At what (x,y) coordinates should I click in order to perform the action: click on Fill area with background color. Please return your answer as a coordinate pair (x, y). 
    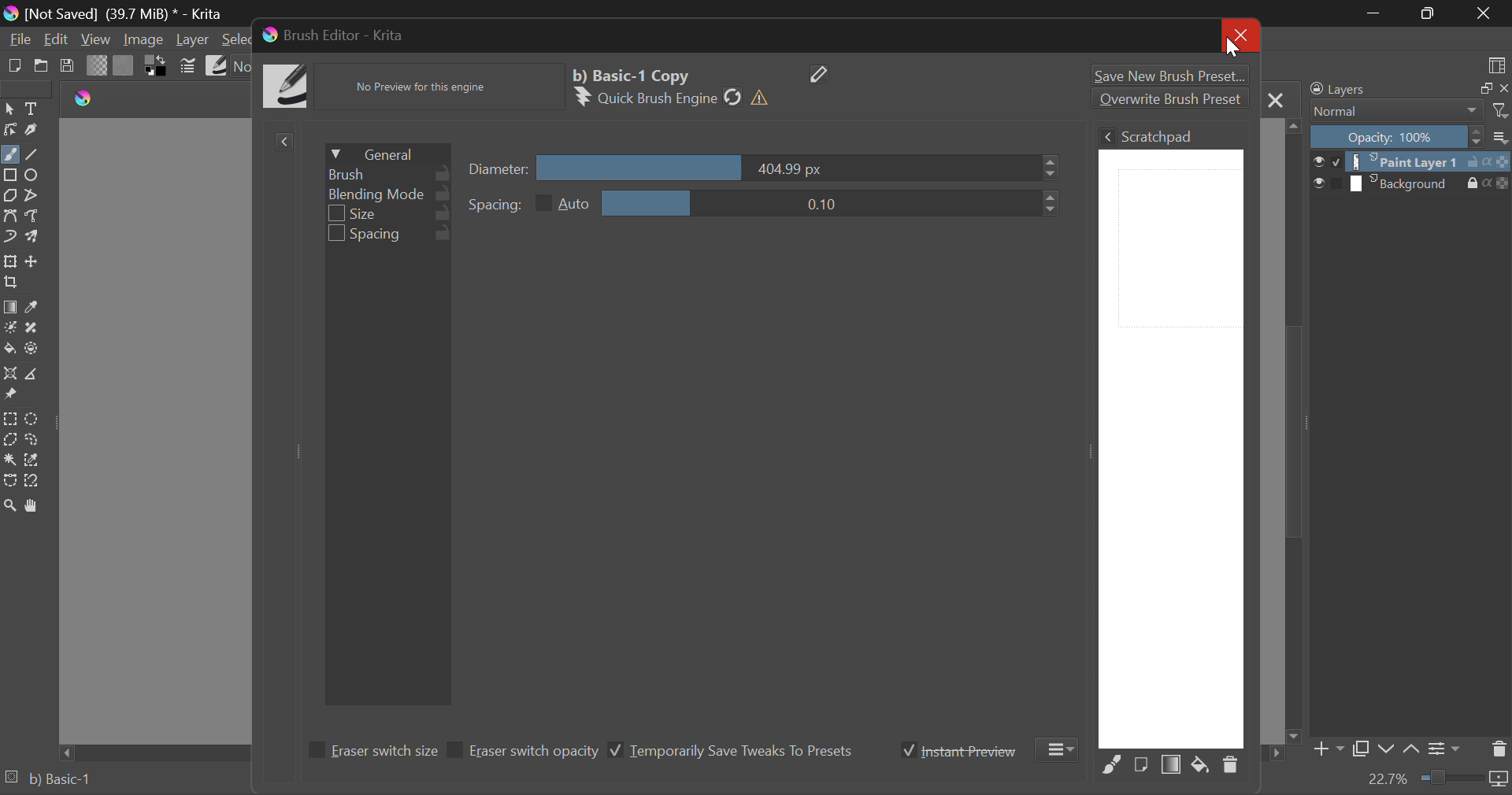
    Looking at the image, I should click on (1199, 766).